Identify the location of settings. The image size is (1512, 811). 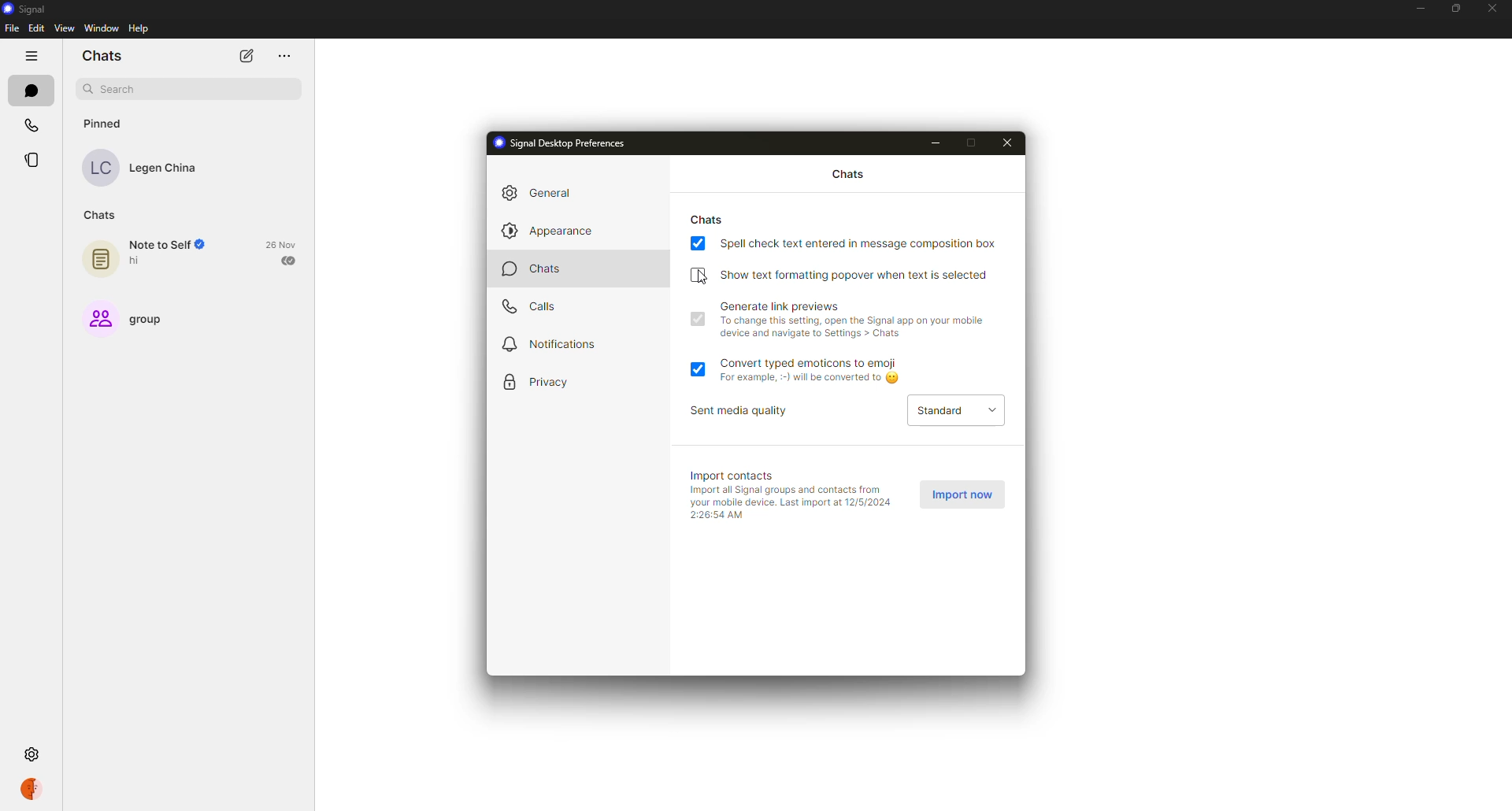
(34, 756).